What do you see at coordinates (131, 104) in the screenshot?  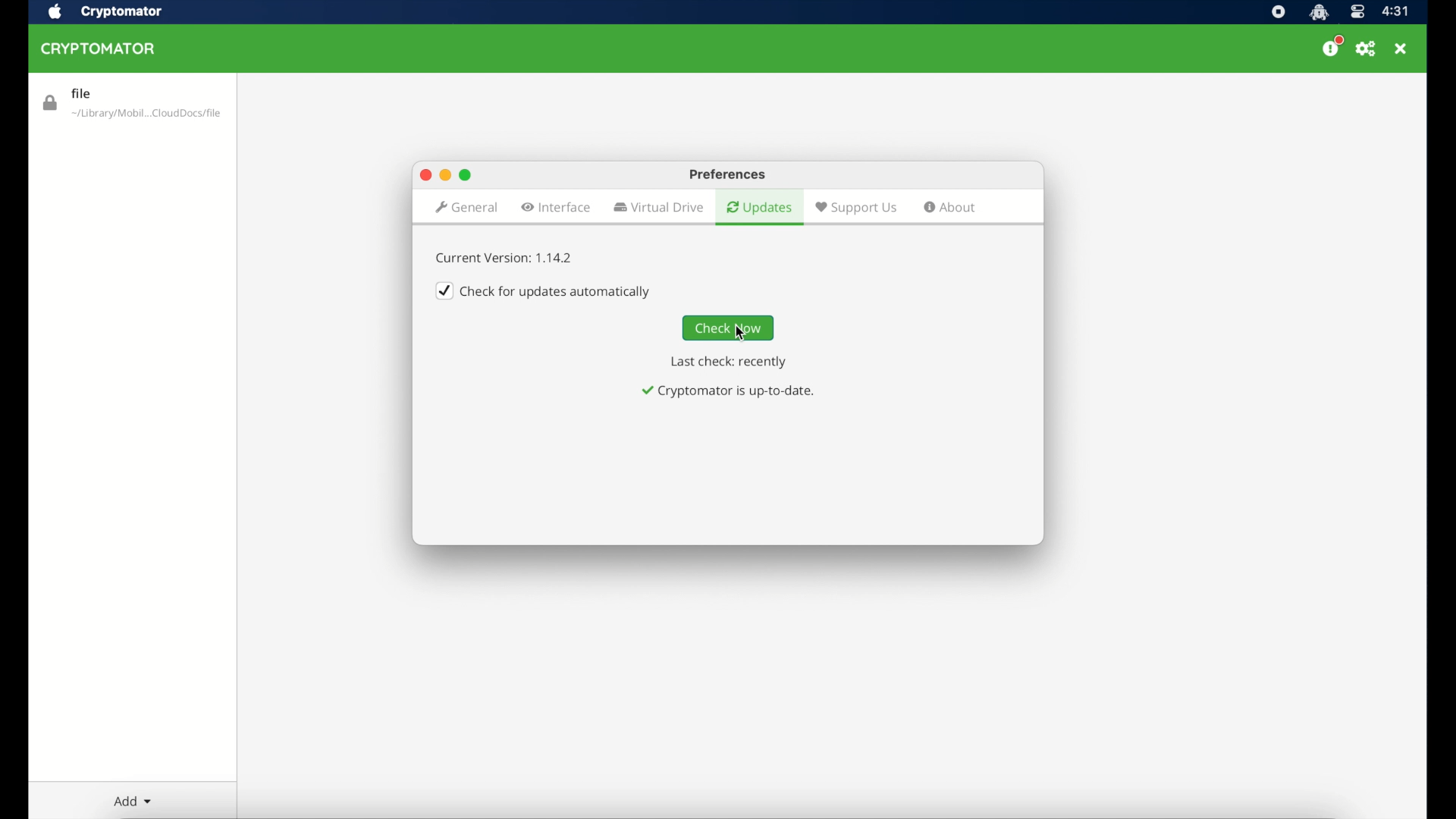 I see `file` at bounding box center [131, 104].